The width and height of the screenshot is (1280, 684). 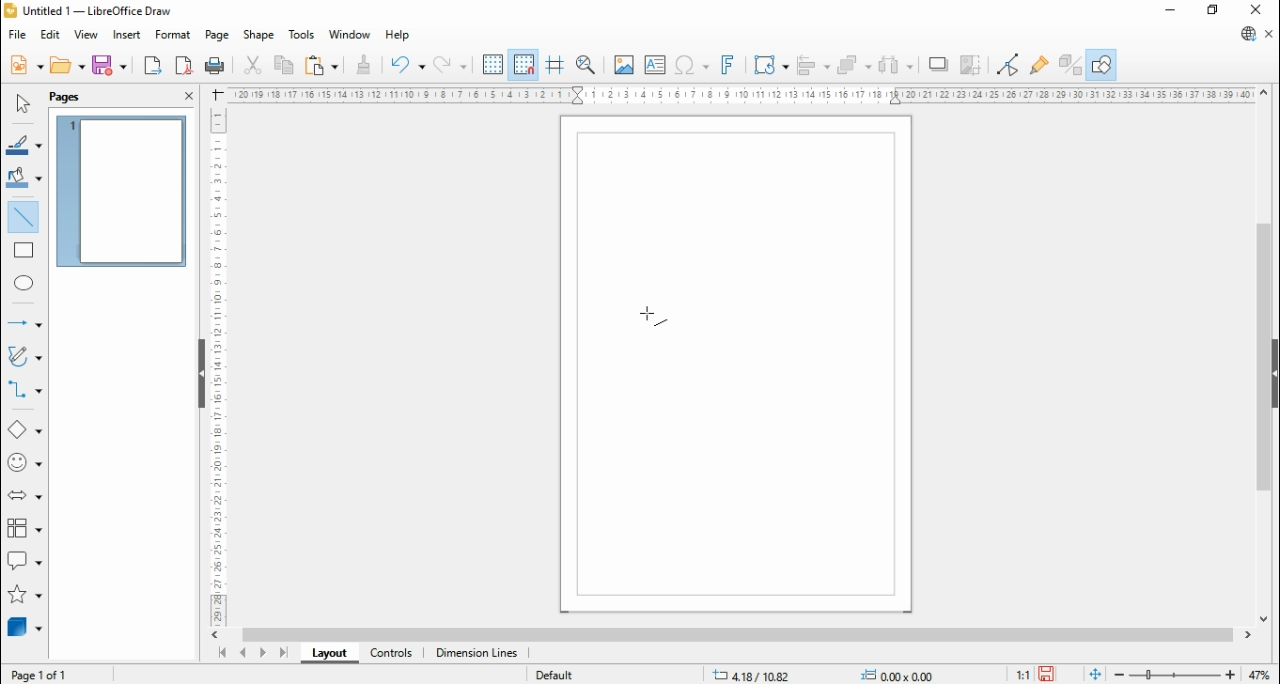 I want to click on crop, so click(x=975, y=64).